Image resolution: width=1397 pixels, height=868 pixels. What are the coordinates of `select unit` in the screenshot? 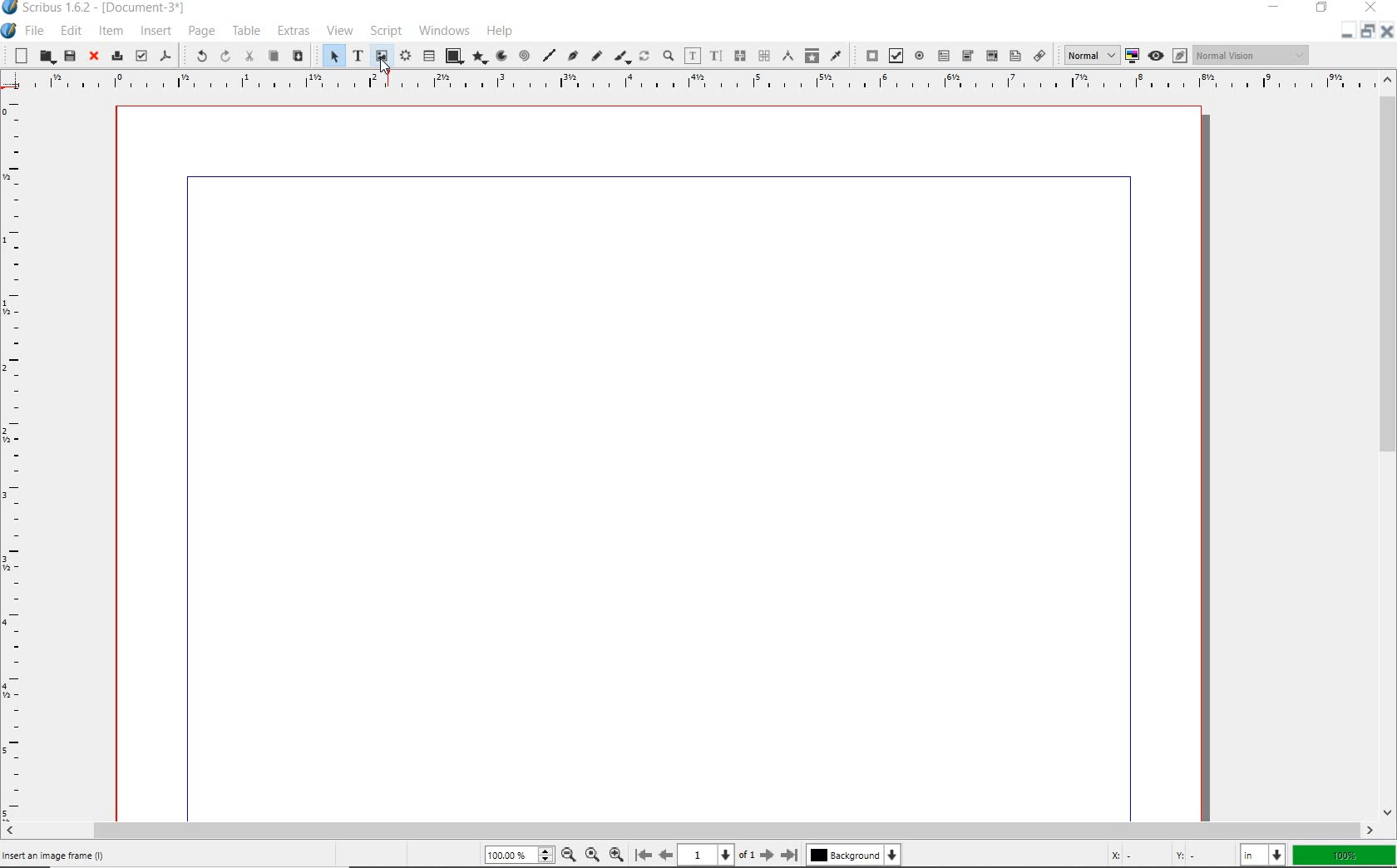 It's located at (1261, 855).